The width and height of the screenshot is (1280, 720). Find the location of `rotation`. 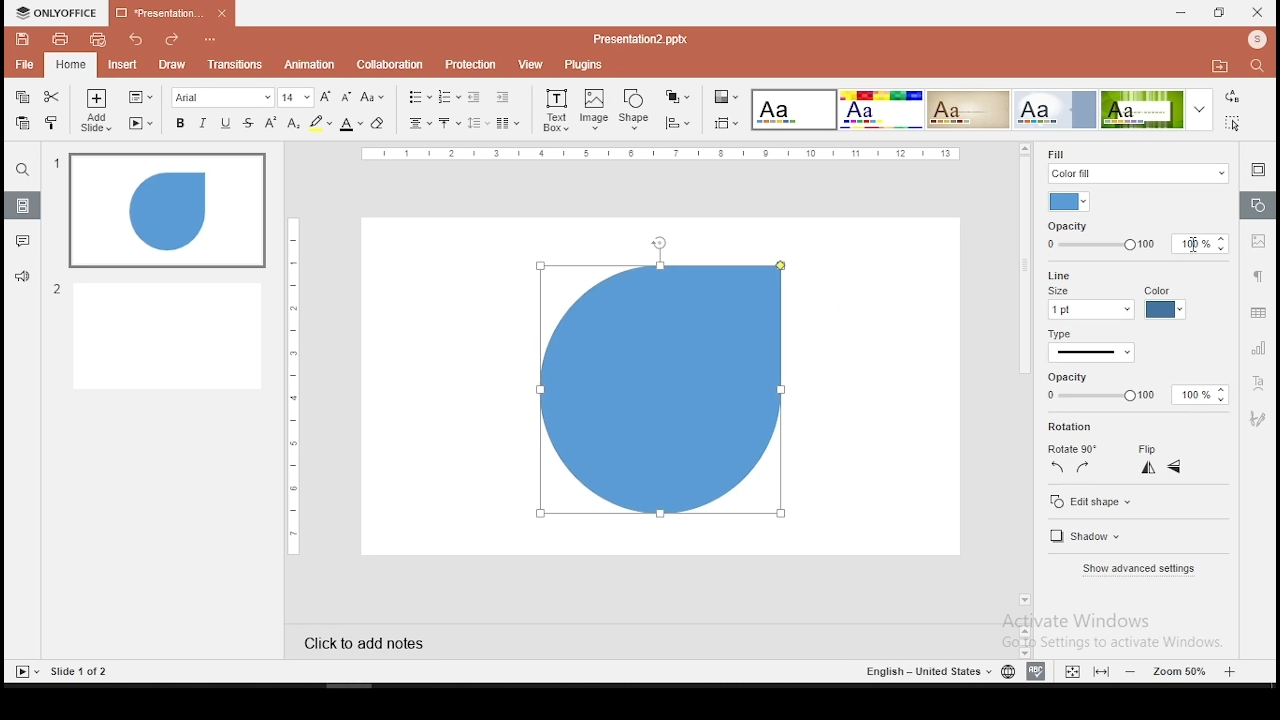

rotation is located at coordinates (1073, 427).